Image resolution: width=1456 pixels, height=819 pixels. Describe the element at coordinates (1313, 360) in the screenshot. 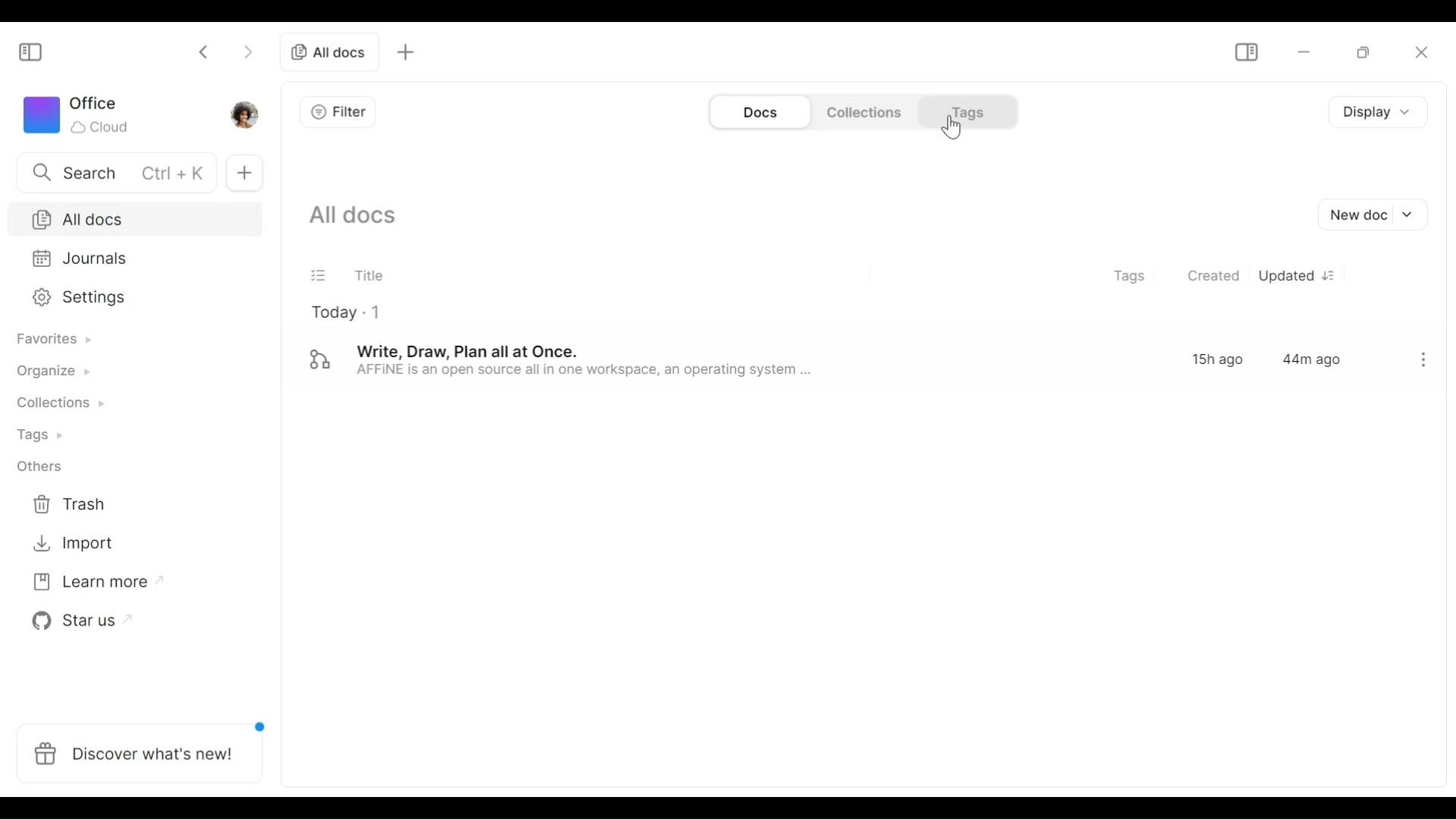

I see `44m ago` at that location.